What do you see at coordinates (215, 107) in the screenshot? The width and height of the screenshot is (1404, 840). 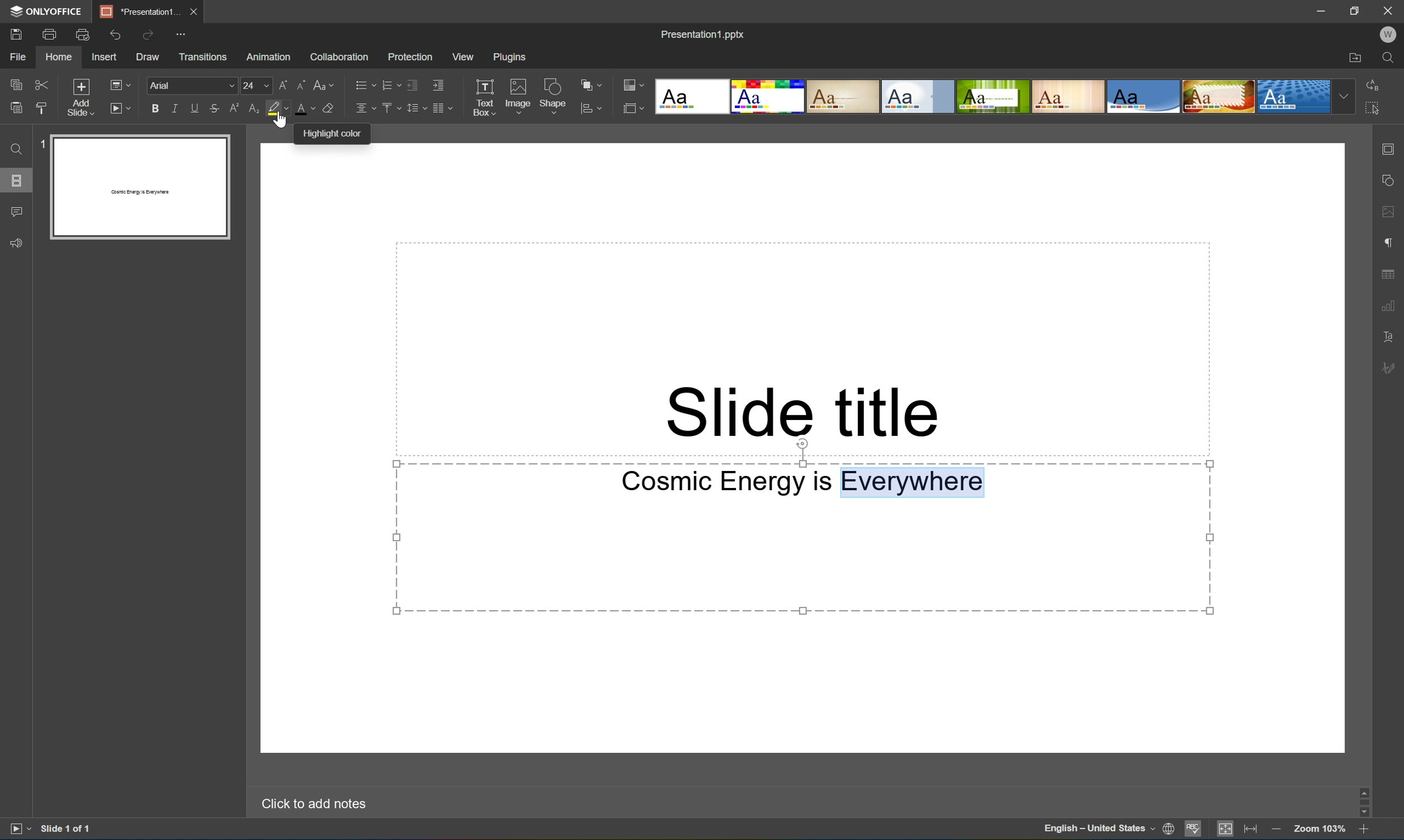 I see `Strikethrough` at bounding box center [215, 107].